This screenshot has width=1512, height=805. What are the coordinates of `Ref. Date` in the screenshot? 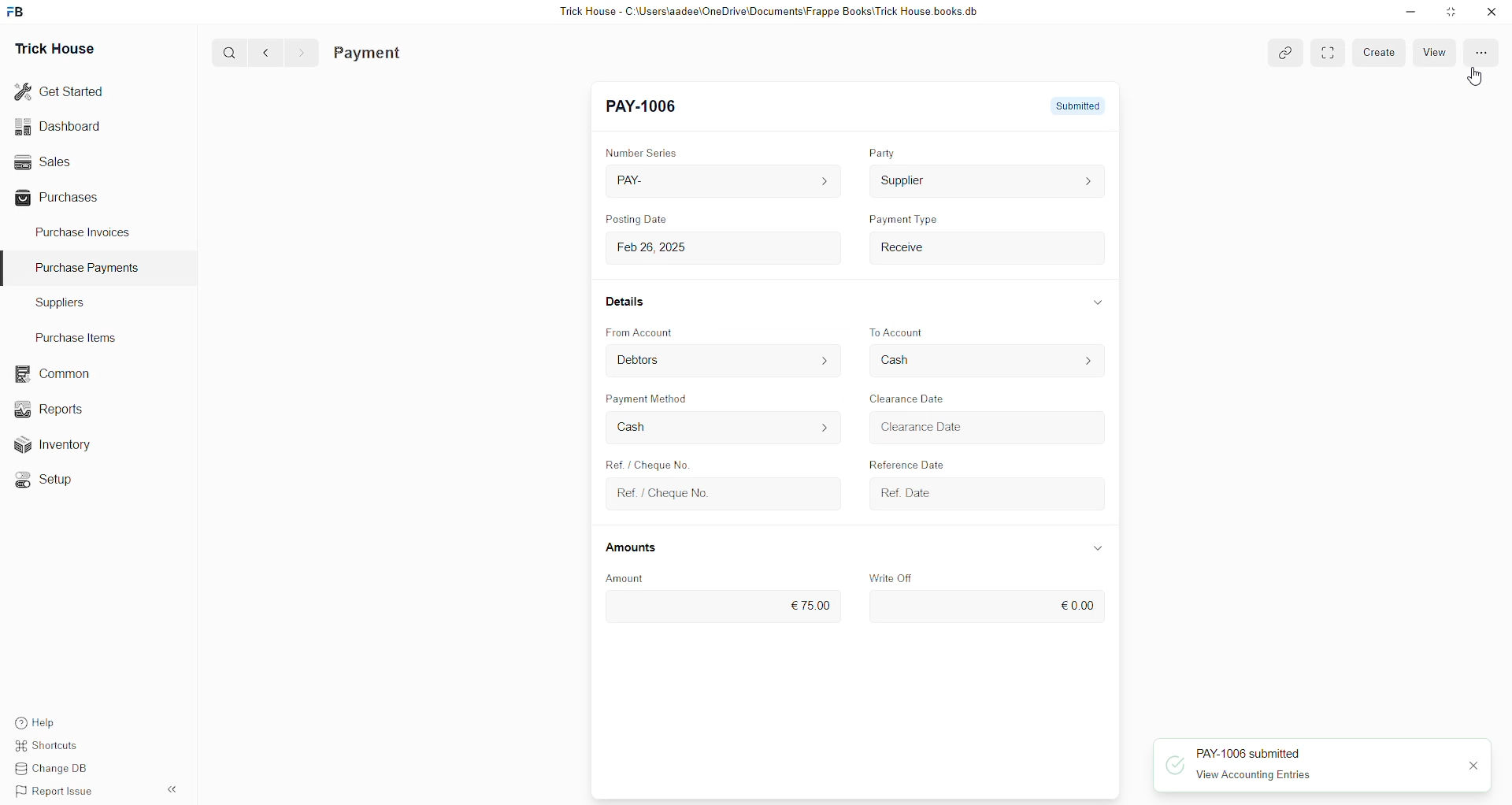 It's located at (976, 493).